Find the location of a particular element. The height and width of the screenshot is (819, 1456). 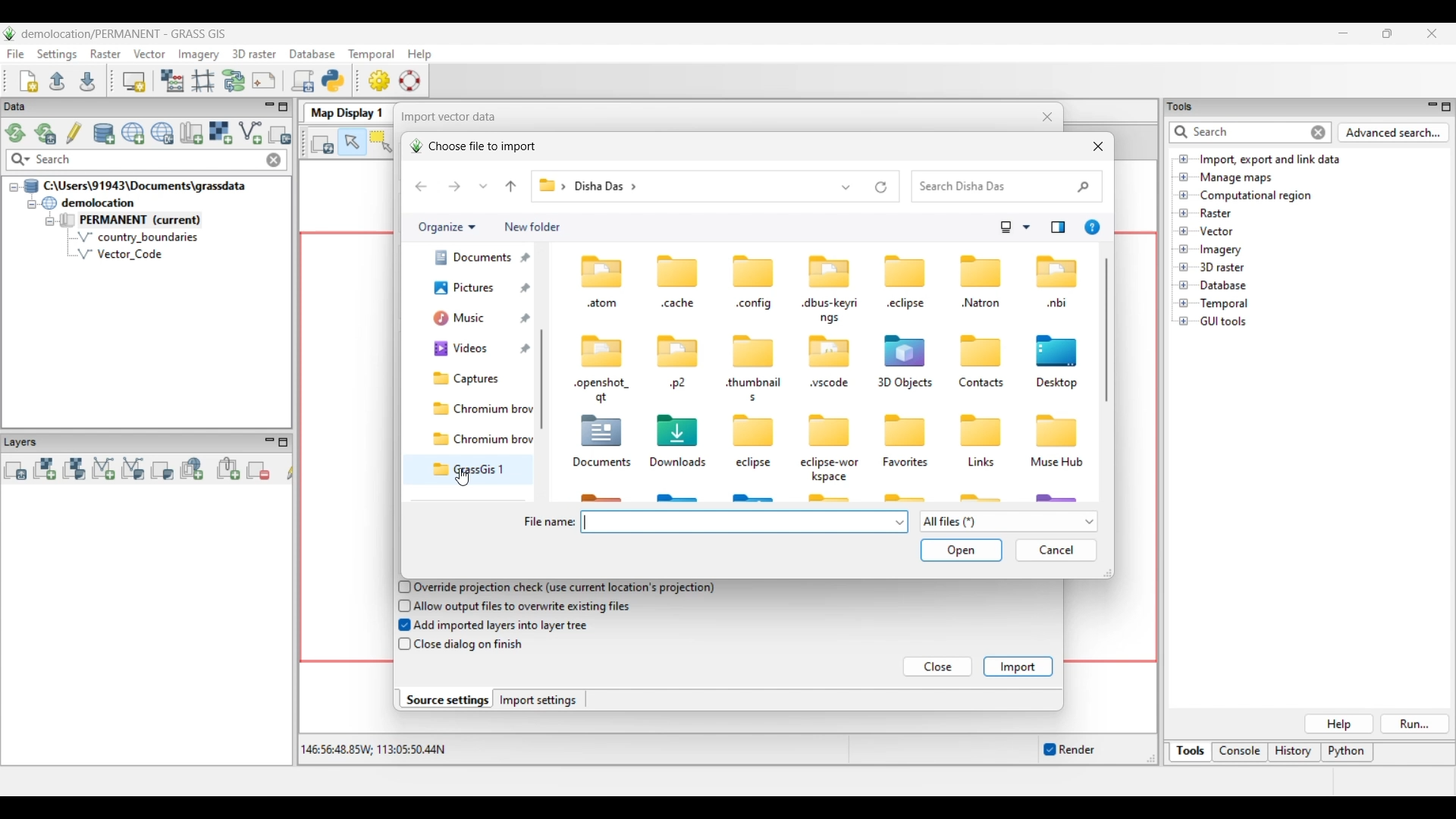

icon is located at coordinates (1057, 429).